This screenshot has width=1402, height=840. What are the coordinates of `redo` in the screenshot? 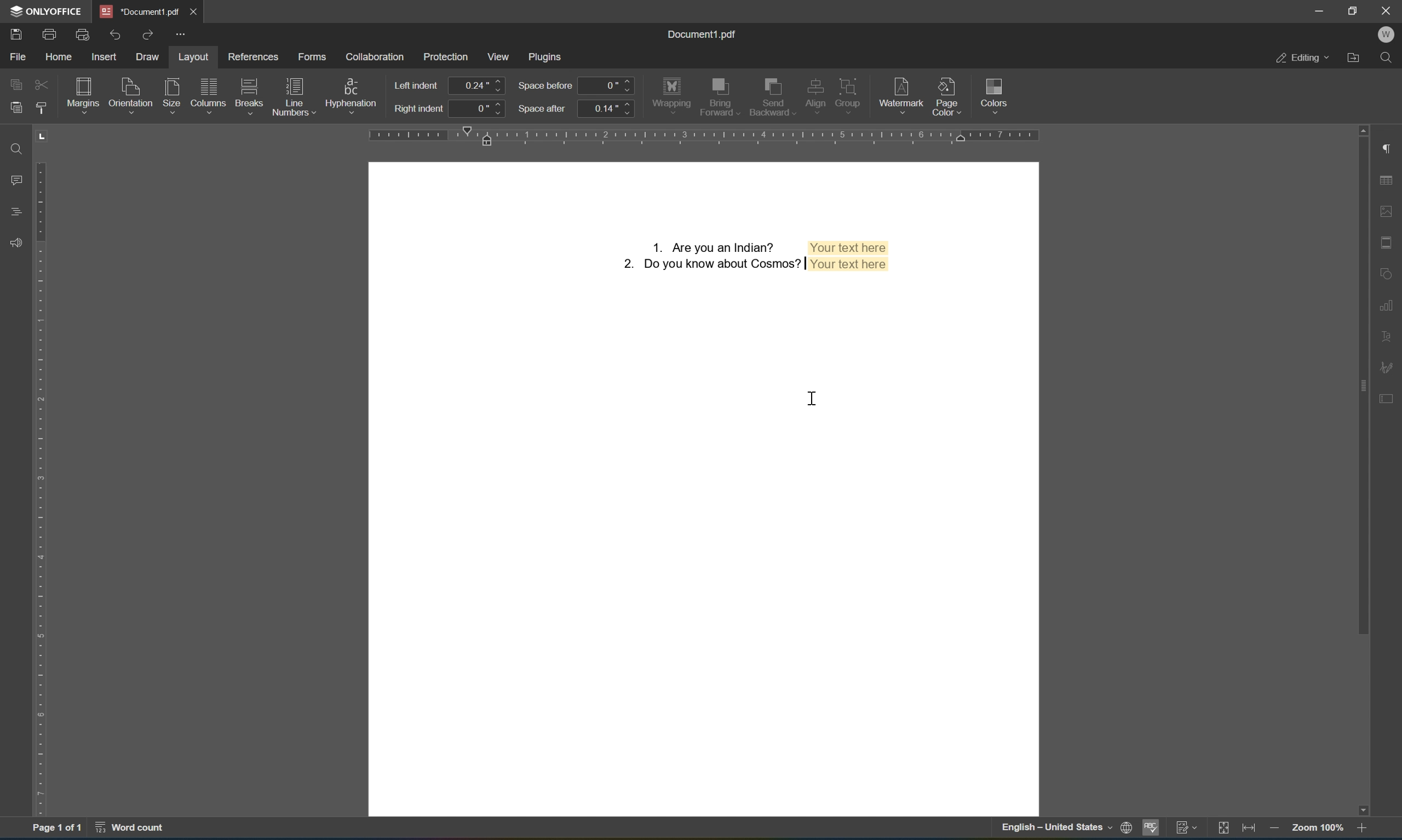 It's located at (147, 33).